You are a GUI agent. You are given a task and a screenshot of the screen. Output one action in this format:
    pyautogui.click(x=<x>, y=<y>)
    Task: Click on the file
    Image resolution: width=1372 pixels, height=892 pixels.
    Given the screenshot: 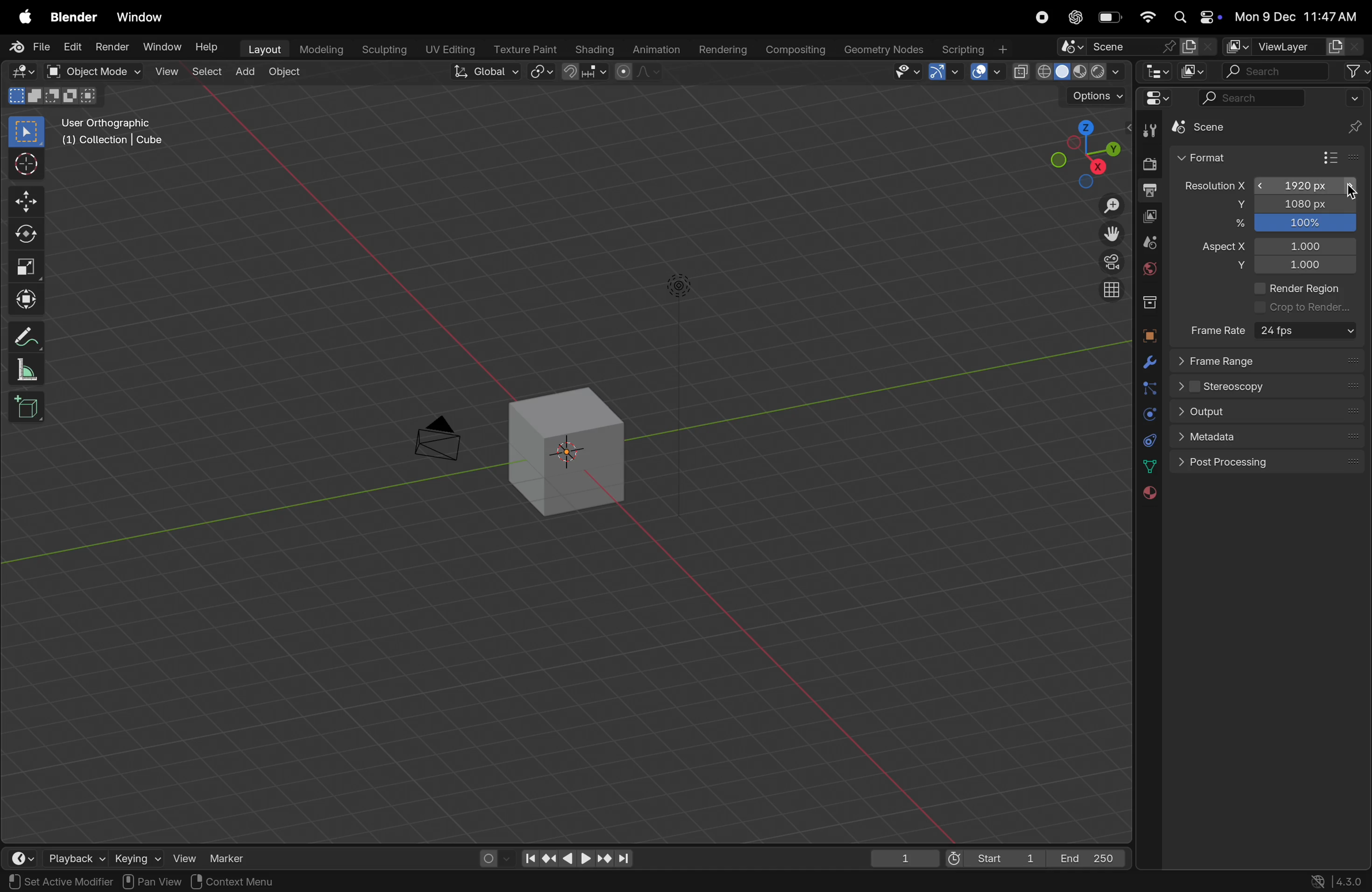 What is the action you would take?
    pyautogui.click(x=29, y=47)
    